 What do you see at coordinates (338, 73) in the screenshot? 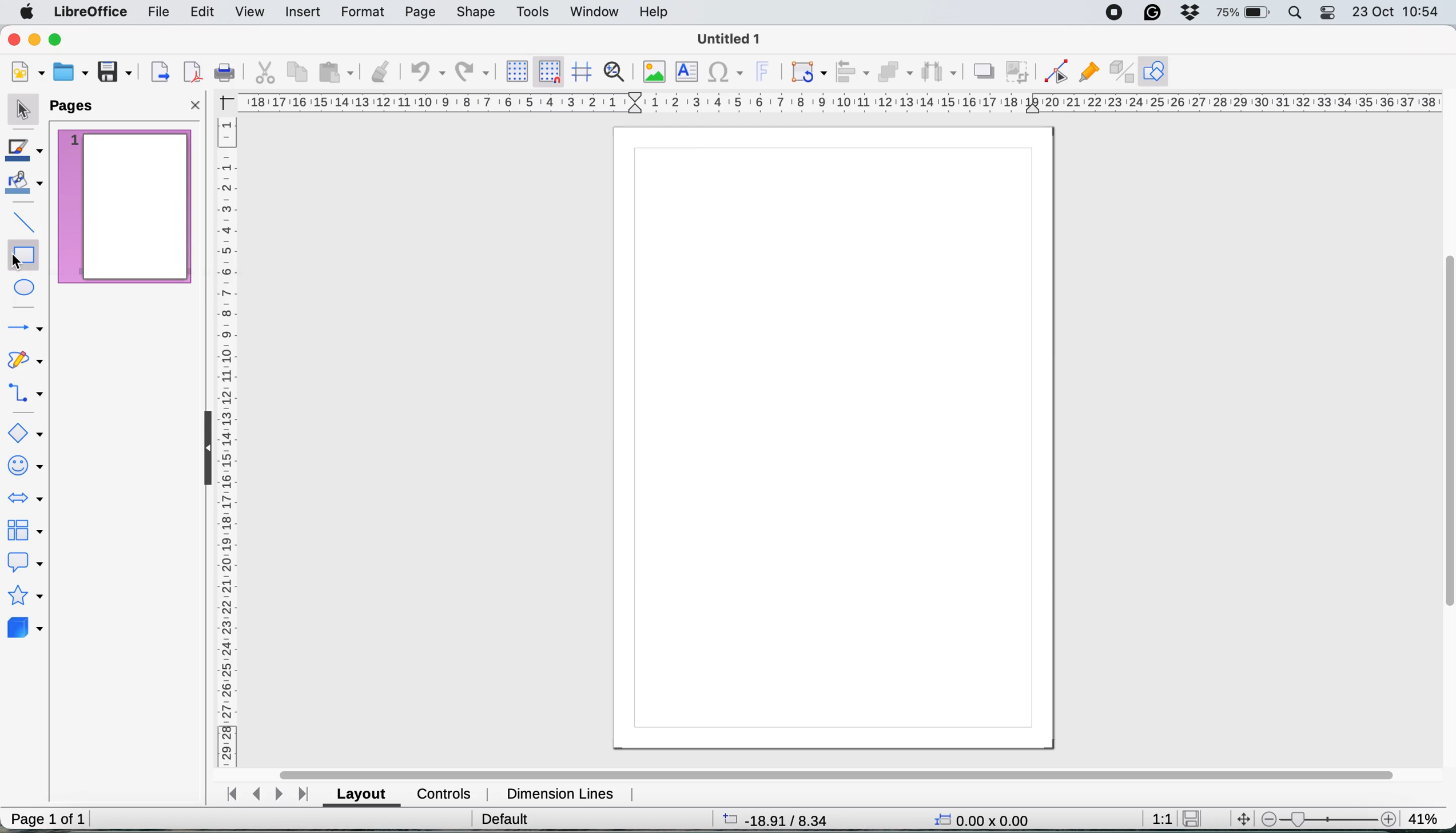
I see `paste` at bounding box center [338, 73].